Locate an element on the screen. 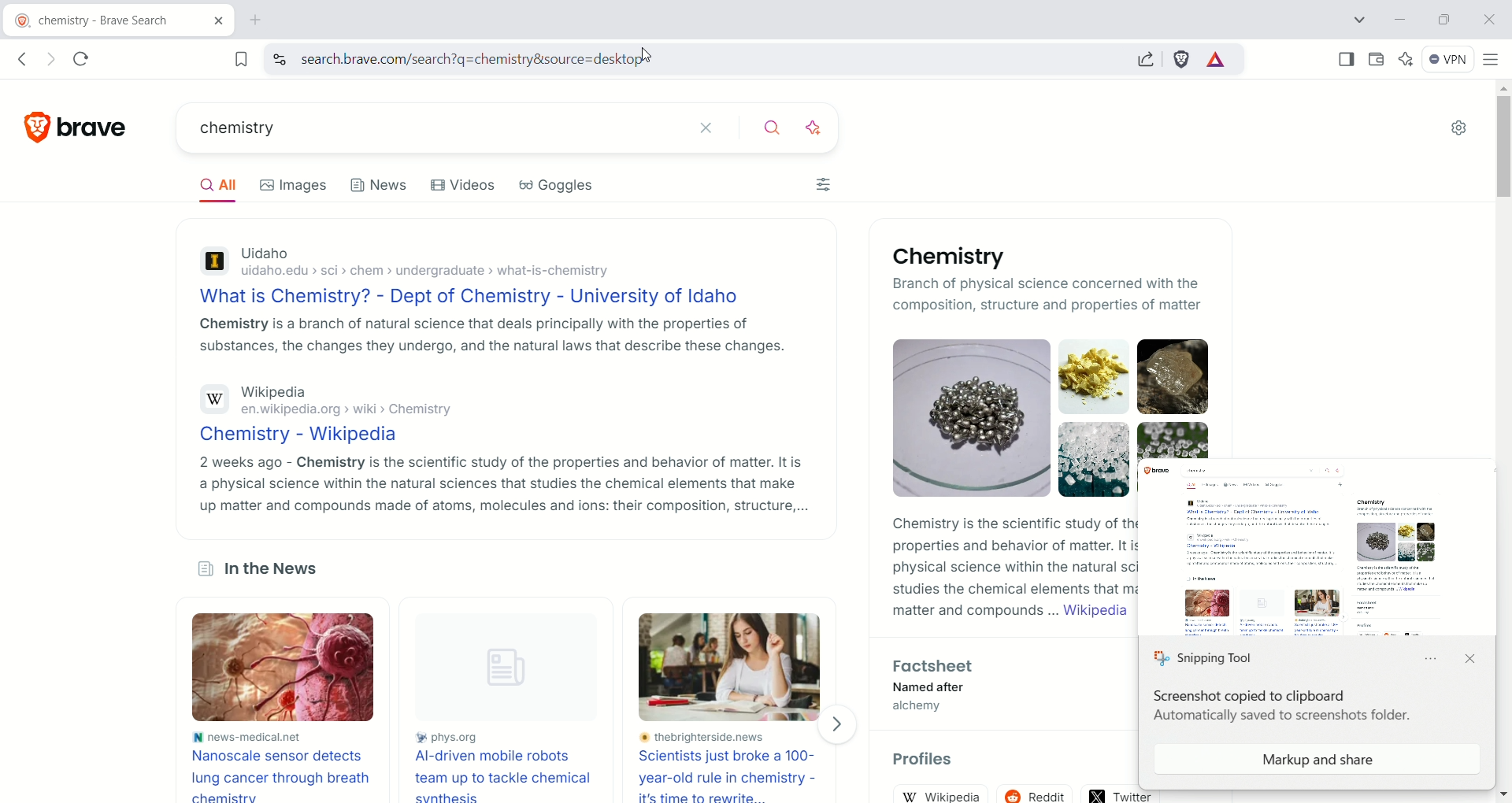  share this page is located at coordinates (1146, 58).